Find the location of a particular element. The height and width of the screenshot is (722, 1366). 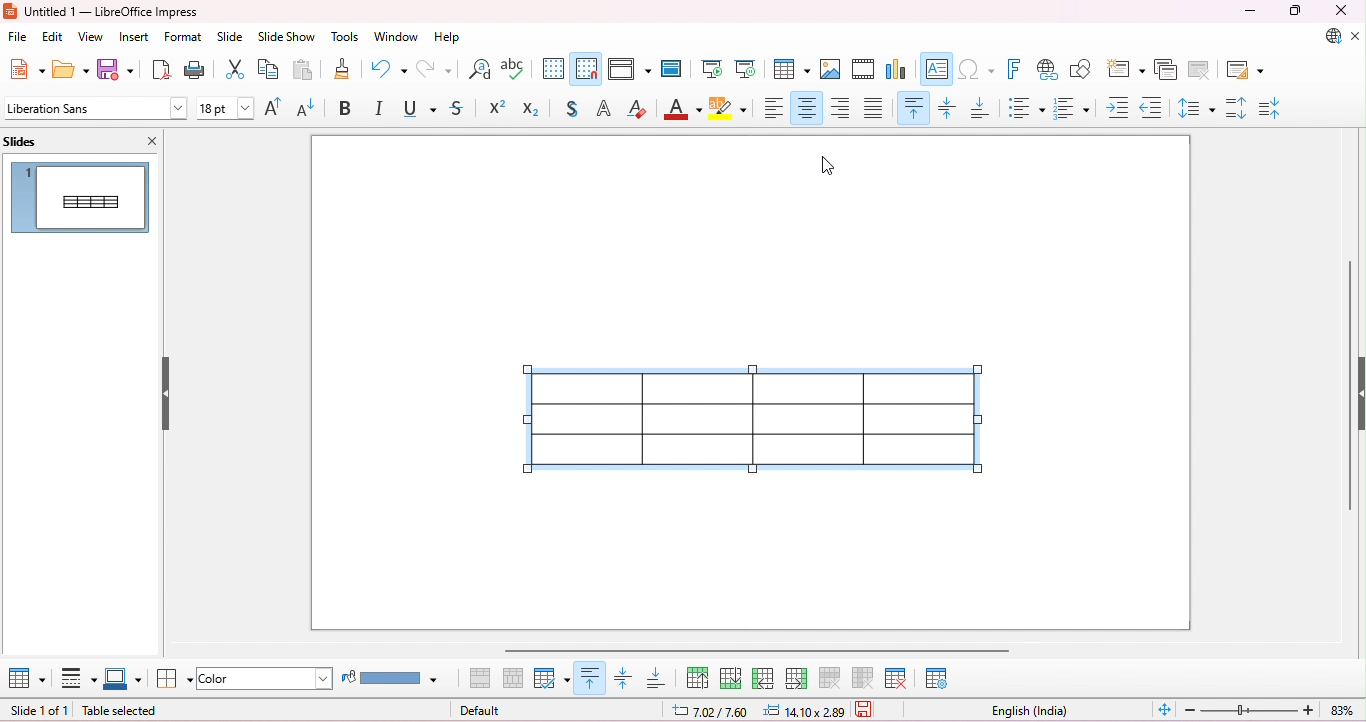

language is located at coordinates (1029, 712).